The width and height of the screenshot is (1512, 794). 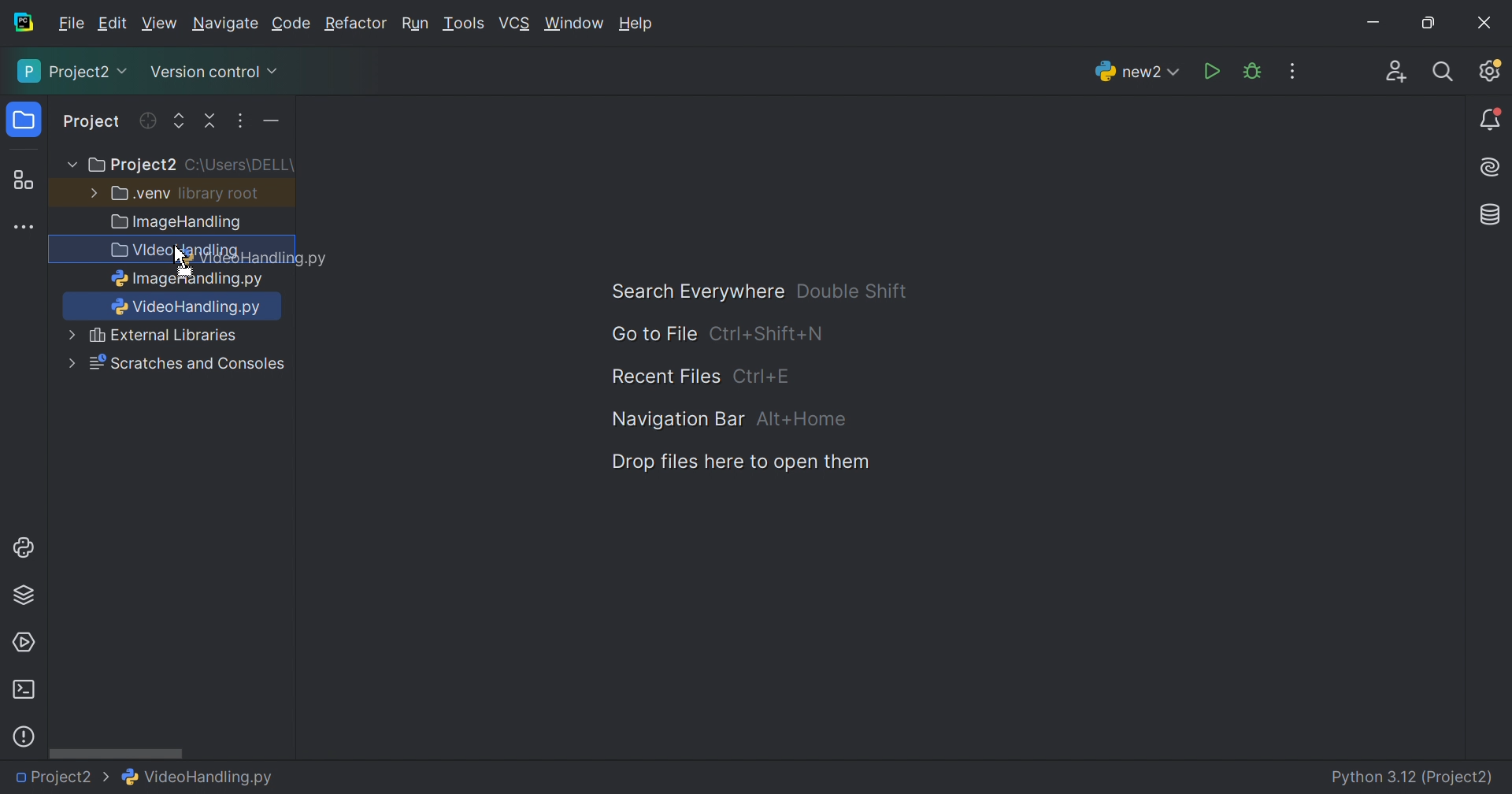 I want to click on Ctrl+Shuft+N, so click(x=766, y=335).